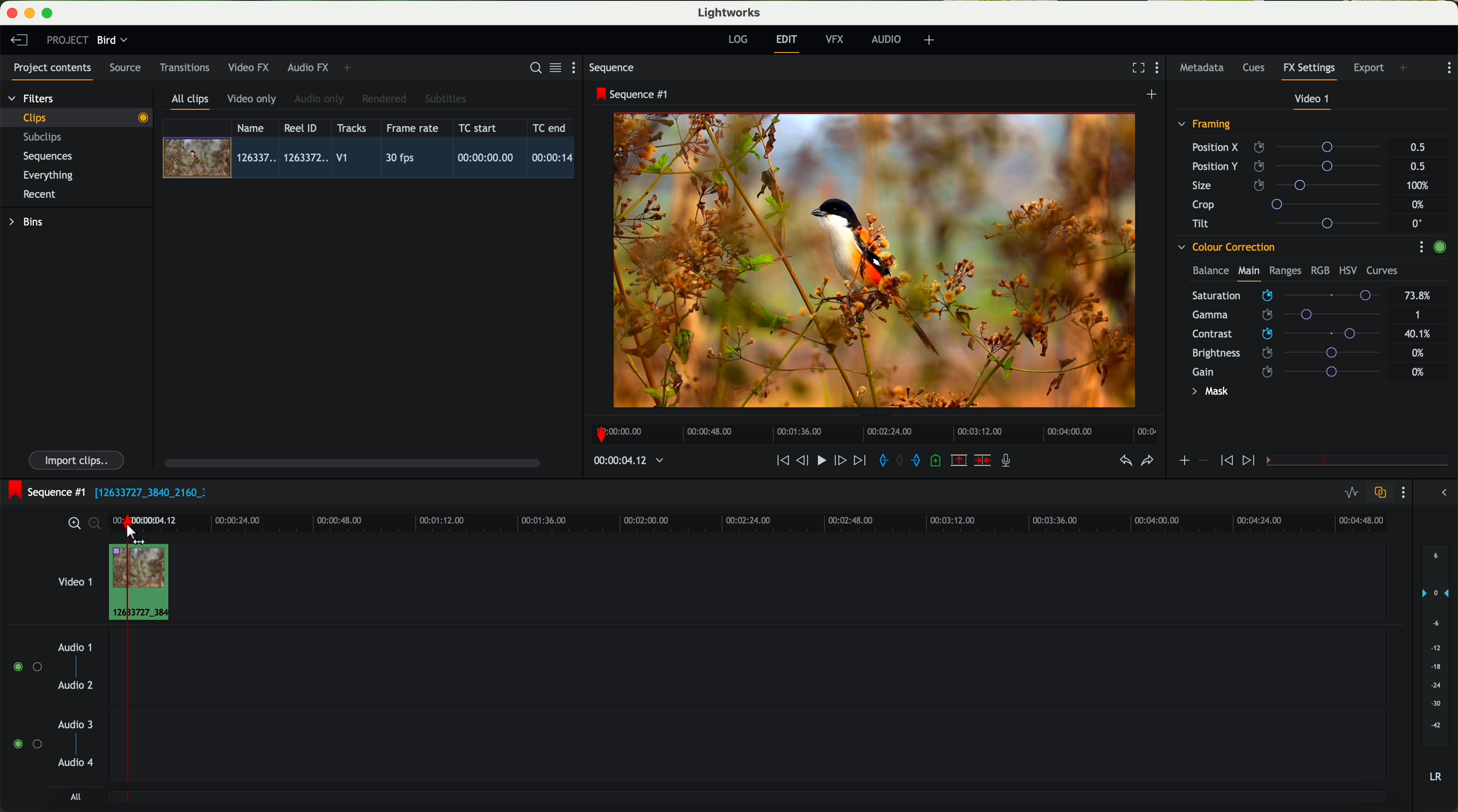 The image size is (1458, 812). I want to click on TC end, so click(550, 127).